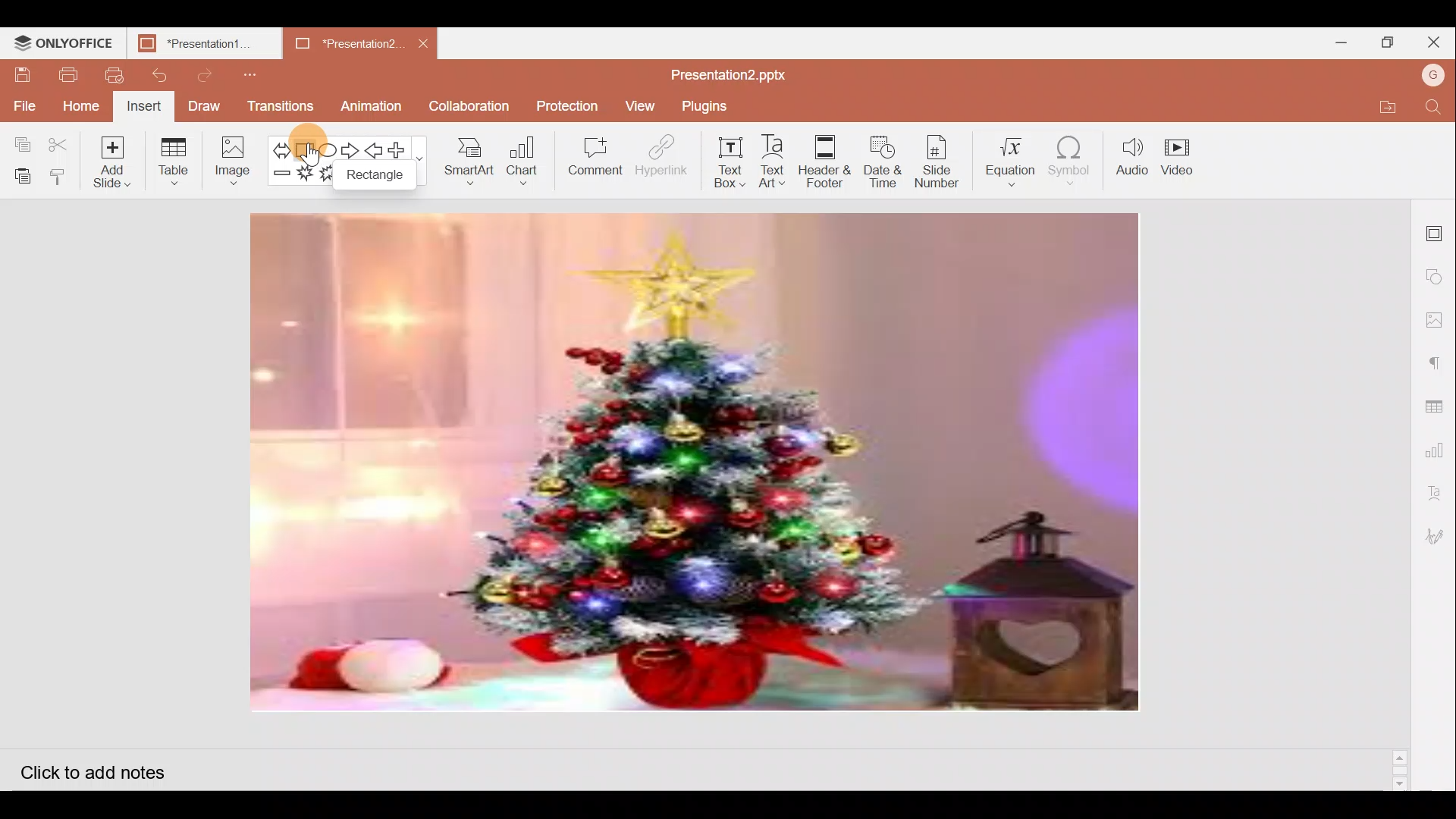 The width and height of the screenshot is (1456, 819). What do you see at coordinates (824, 164) in the screenshot?
I see `Header & footer` at bounding box center [824, 164].